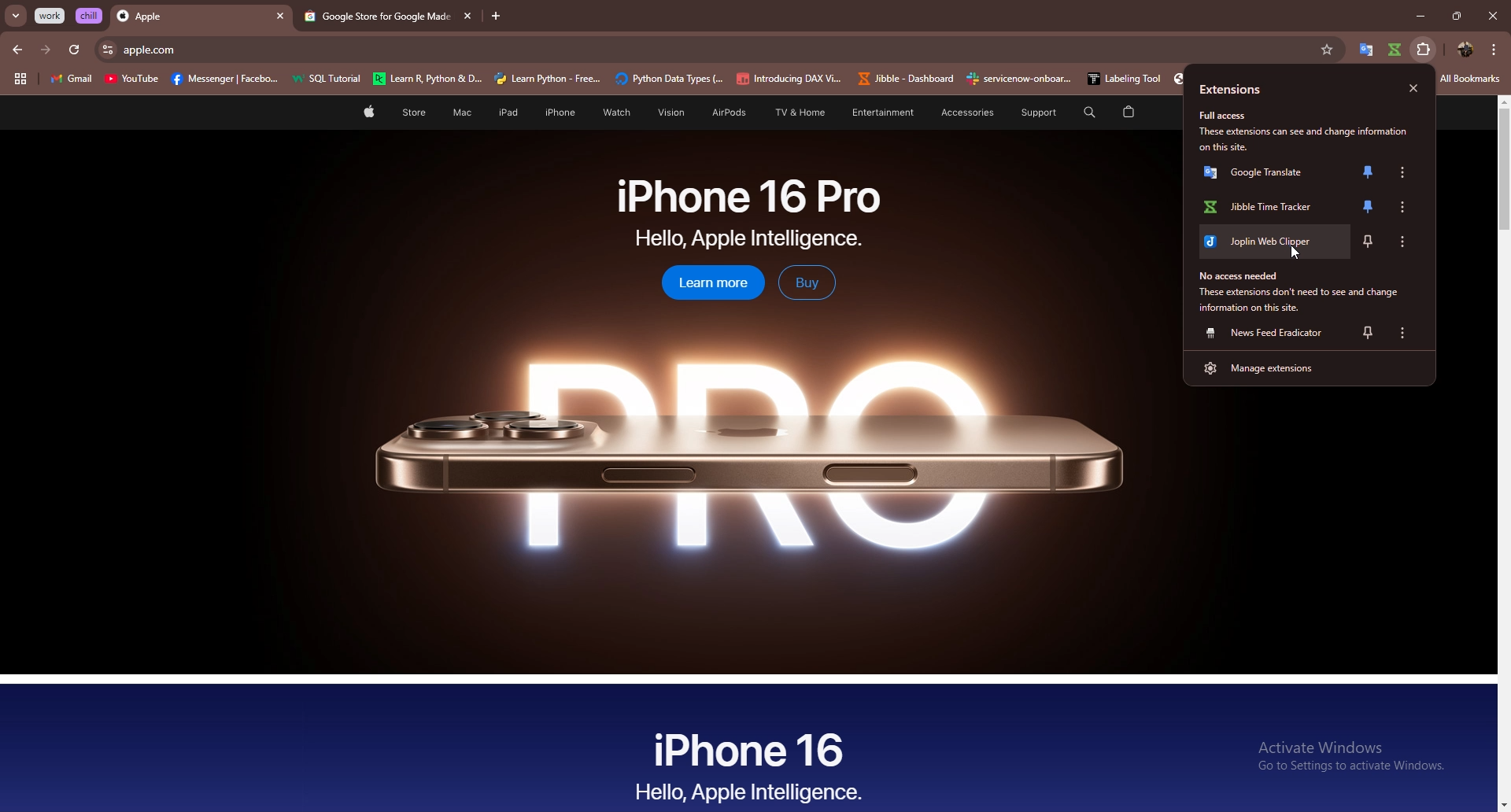 Image resolution: width=1511 pixels, height=812 pixels. I want to click on YouTube, so click(131, 81).